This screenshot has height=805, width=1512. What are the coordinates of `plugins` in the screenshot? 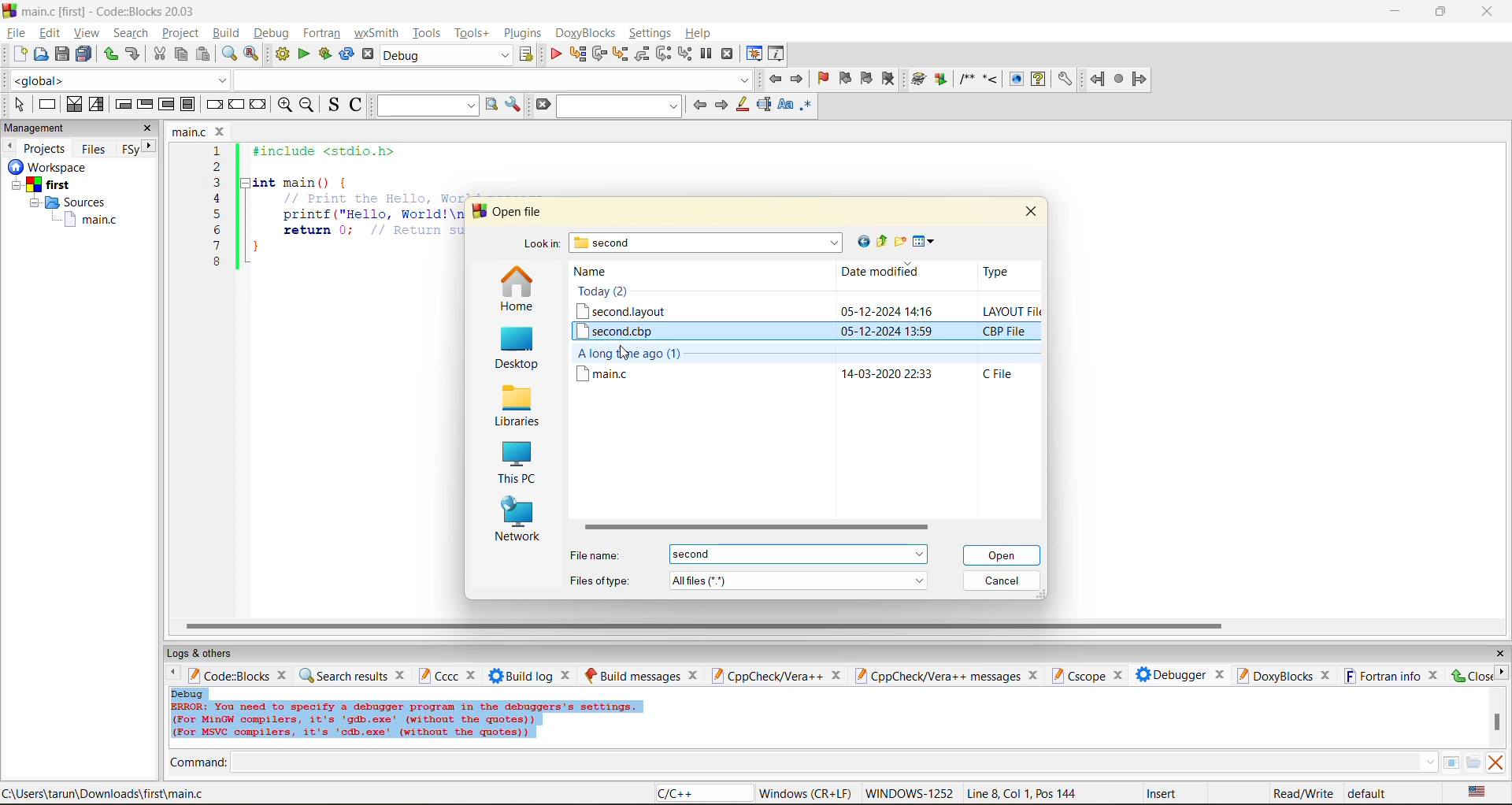 It's located at (524, 33).